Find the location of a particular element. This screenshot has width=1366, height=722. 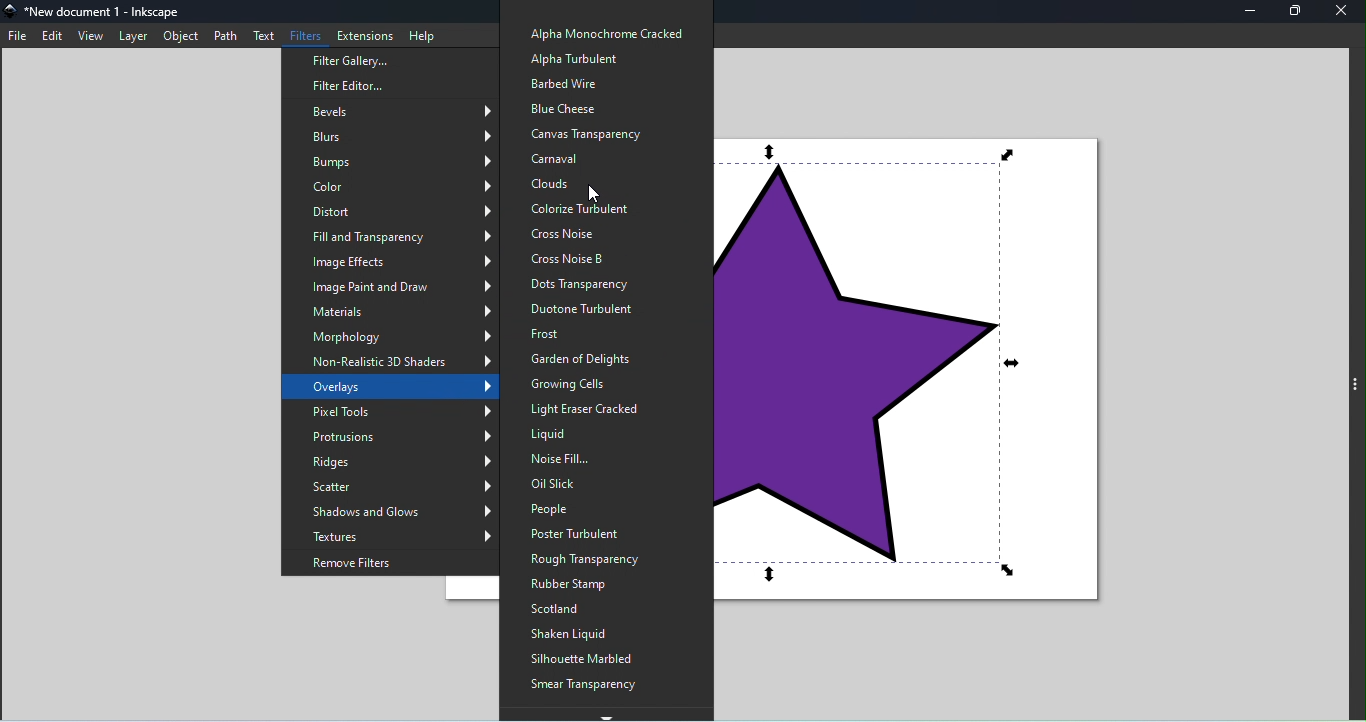

help is located at coordinates (422, 33).